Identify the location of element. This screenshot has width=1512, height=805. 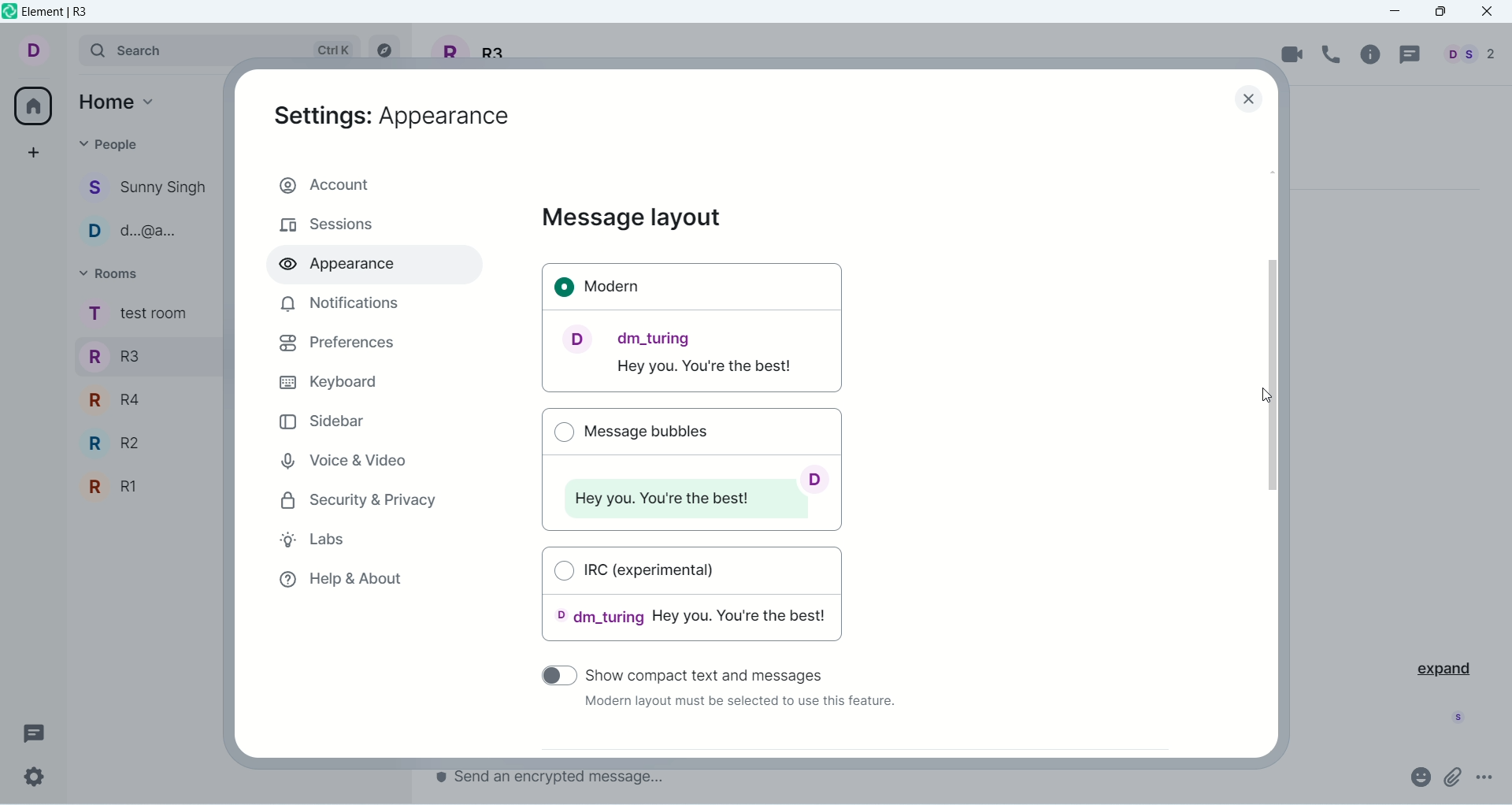
(59, 13).